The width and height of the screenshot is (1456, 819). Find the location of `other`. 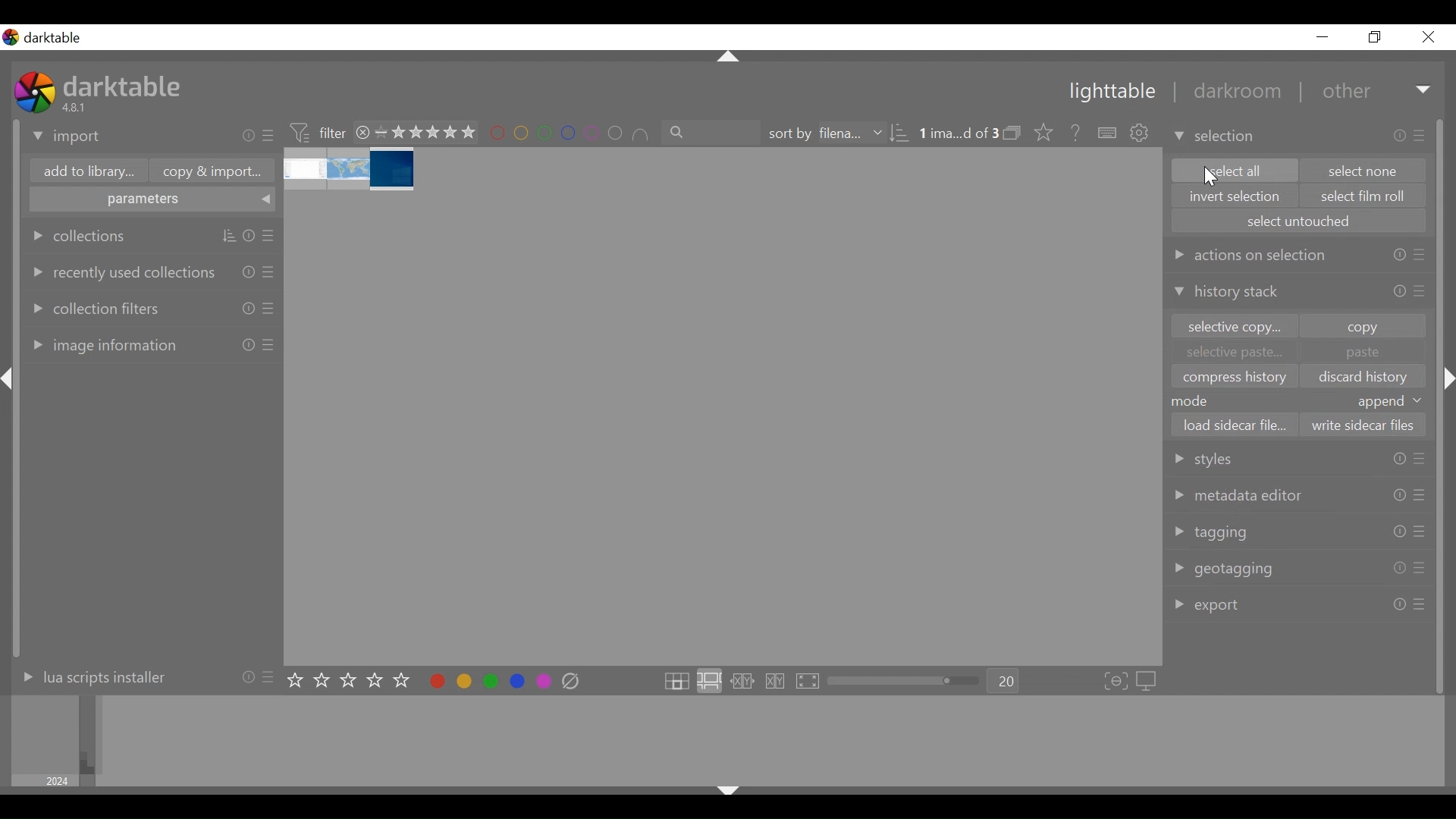

other is located at coordinates (1345, 92).